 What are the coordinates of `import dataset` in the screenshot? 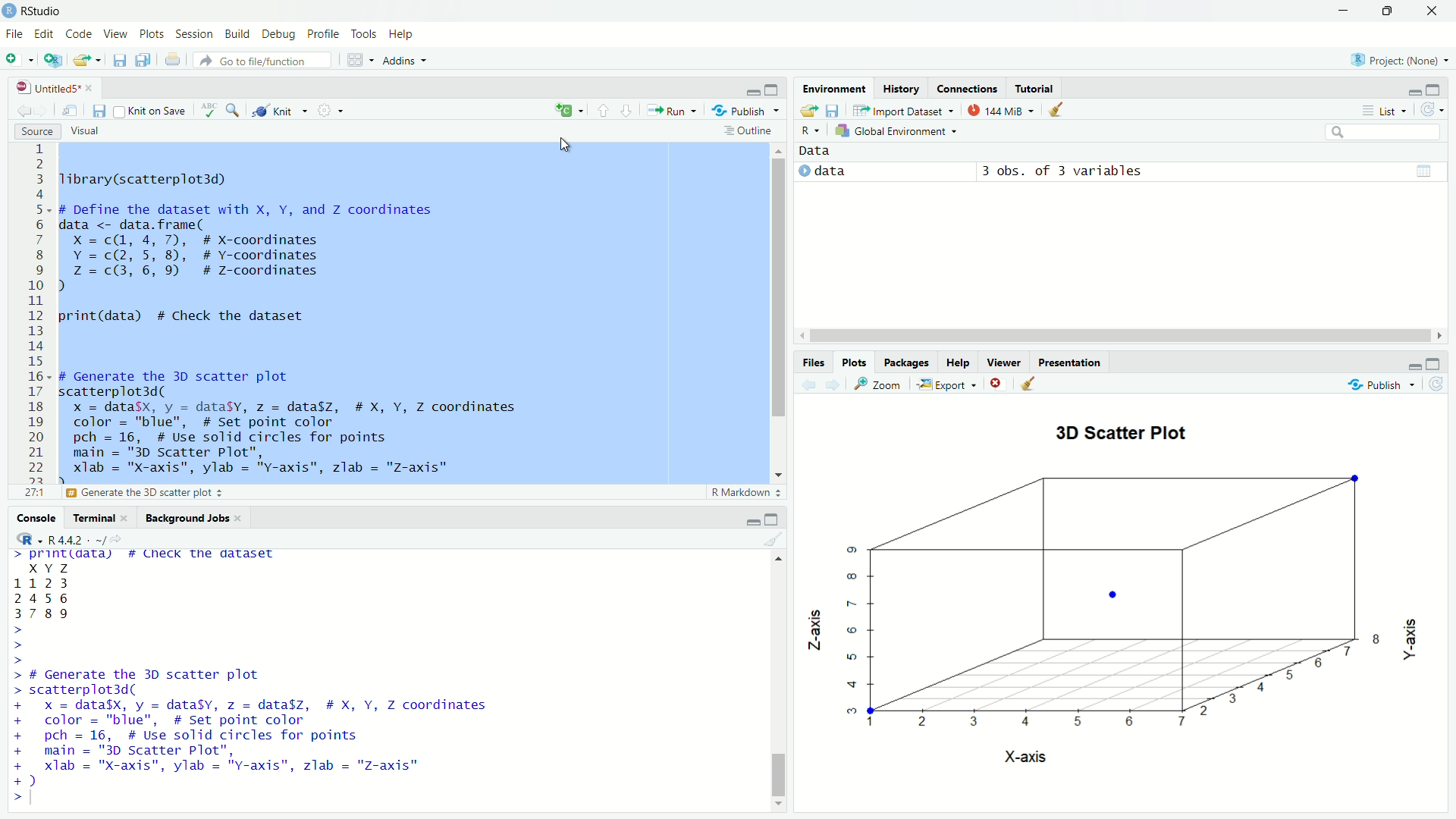 It's located at (903, 110).